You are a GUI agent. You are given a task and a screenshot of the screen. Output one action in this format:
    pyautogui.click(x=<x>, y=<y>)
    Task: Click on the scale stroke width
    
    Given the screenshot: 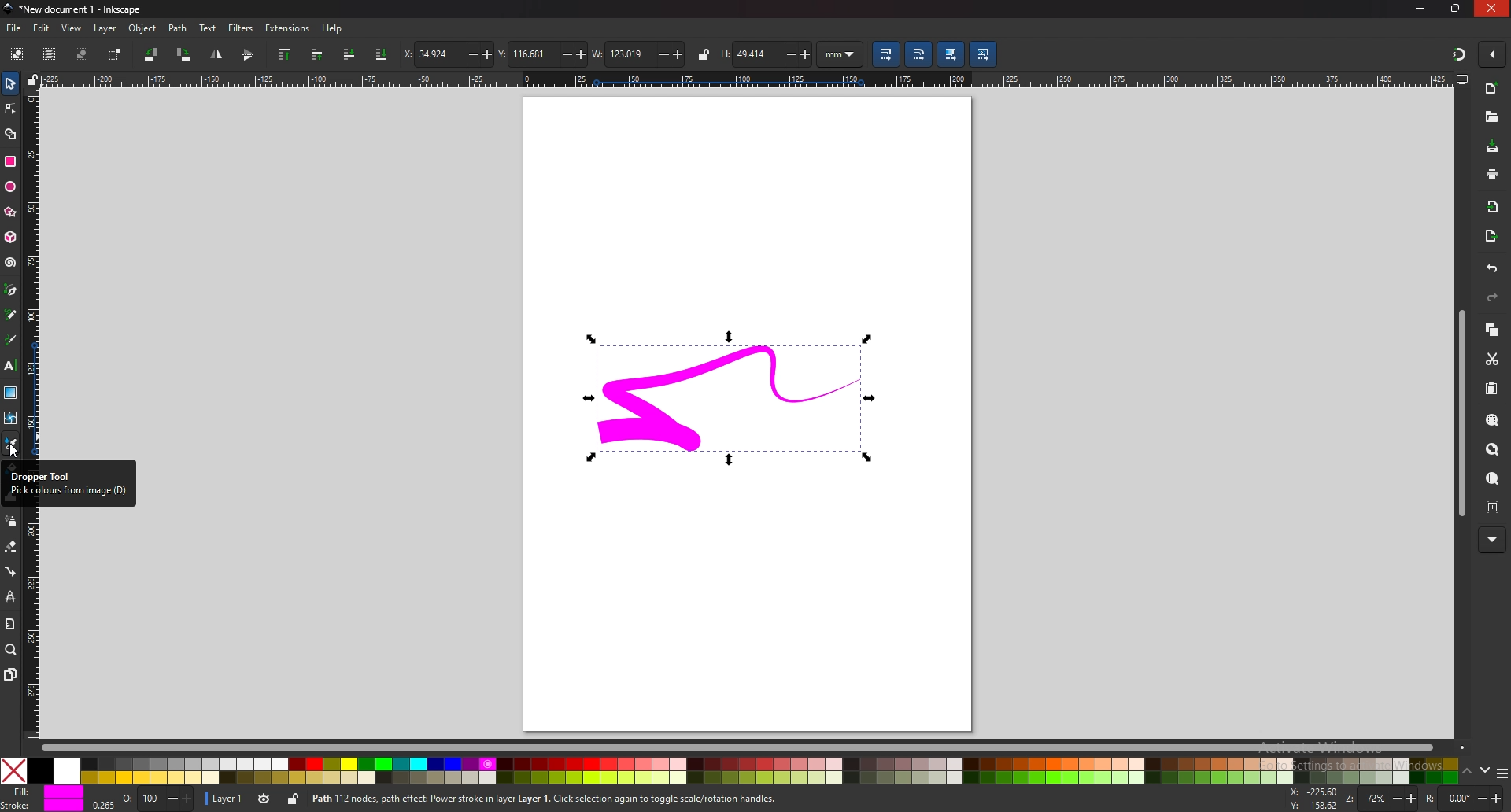 What is the action you would take?
    pyautogui.click(x=888, y=54)
    